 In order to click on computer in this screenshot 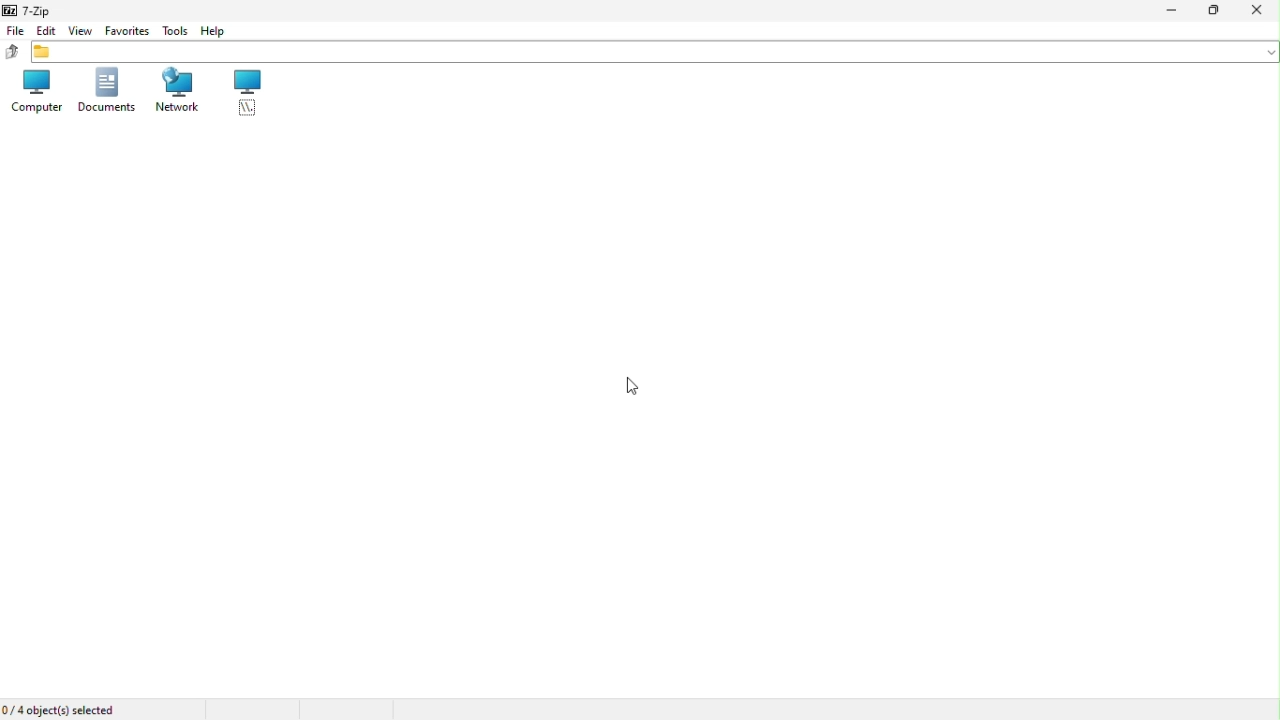, I will do `click(35, 92)`.